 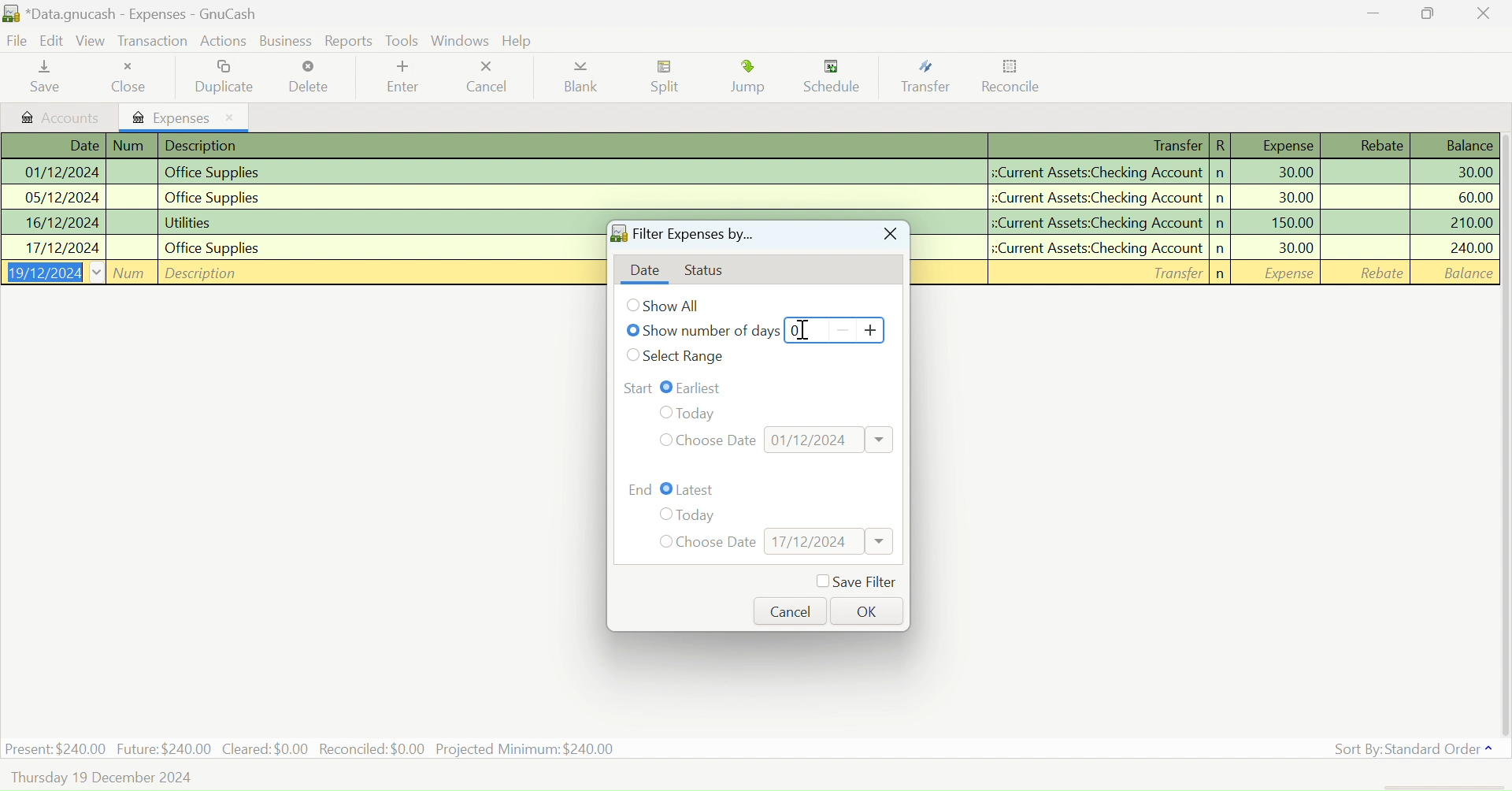 What do you see at coordinates (663, 541) in the screenshot?
I see `Checkbox` at bounding box center [663, 541].